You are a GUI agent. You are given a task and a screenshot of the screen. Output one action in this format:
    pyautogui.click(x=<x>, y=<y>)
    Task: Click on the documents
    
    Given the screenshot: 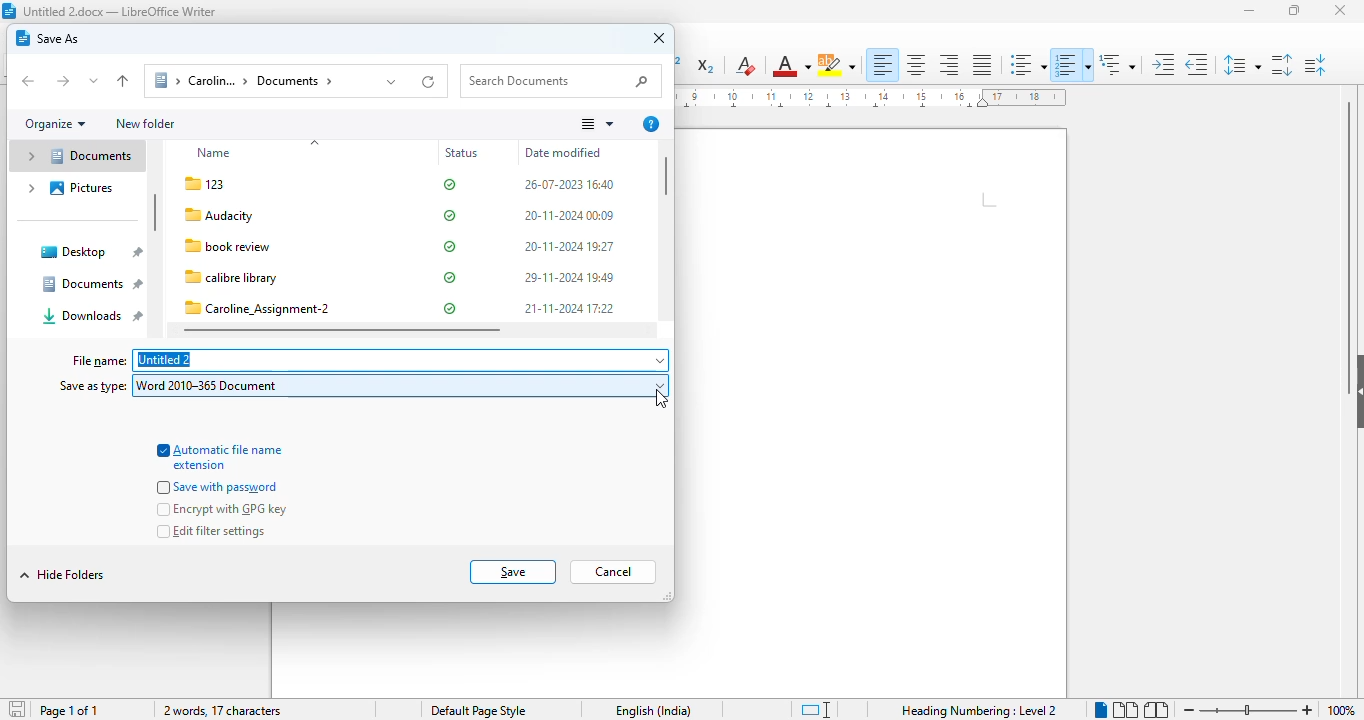 What is the action you would take?
    pyautogui.click(x=90, y=283)
    